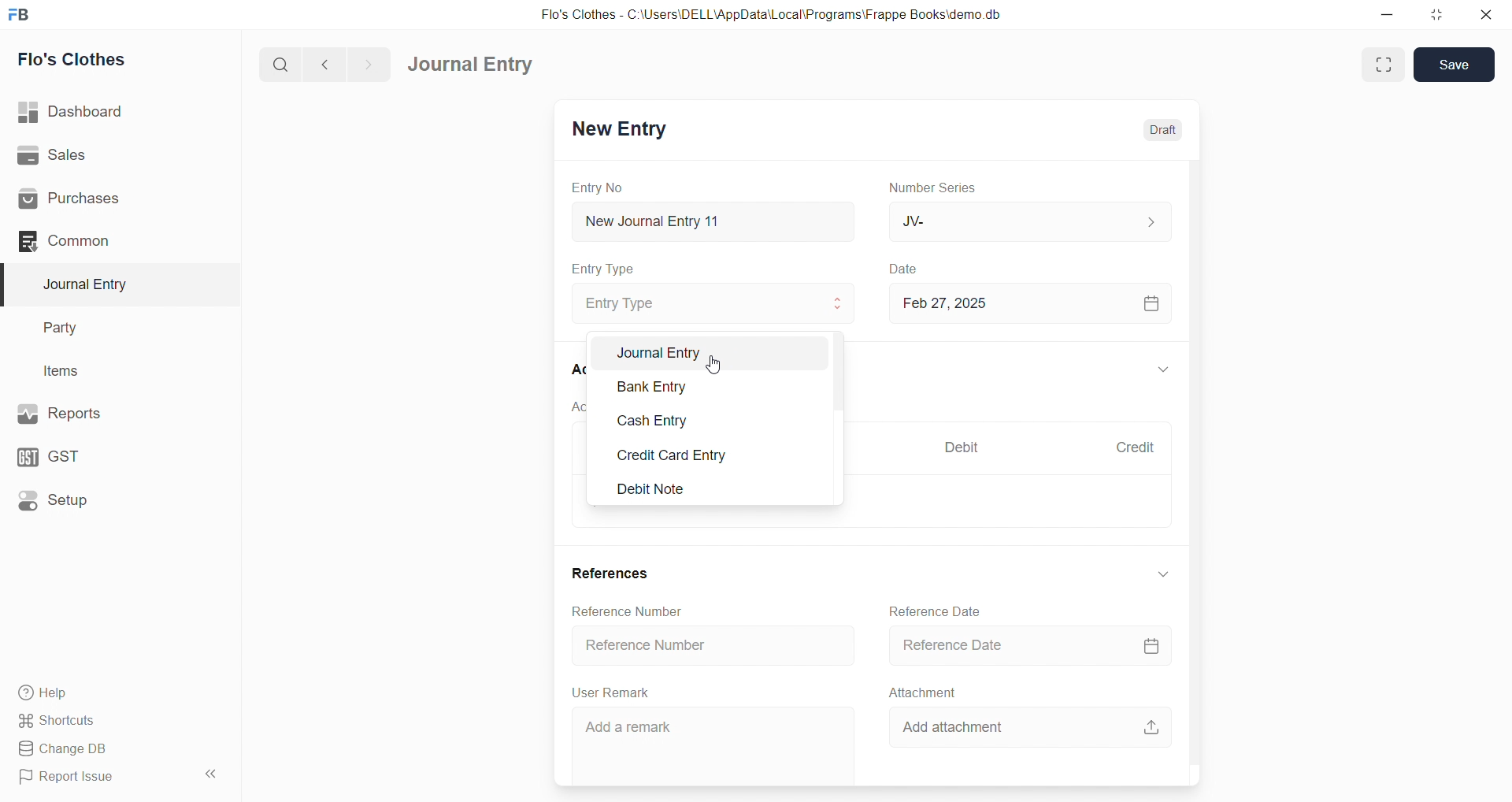 The image size is (1512, 802). What do you see at coordinates (667, 385) in the screenshot?
I see `Bank Entry` at bounding box center [667, 385].